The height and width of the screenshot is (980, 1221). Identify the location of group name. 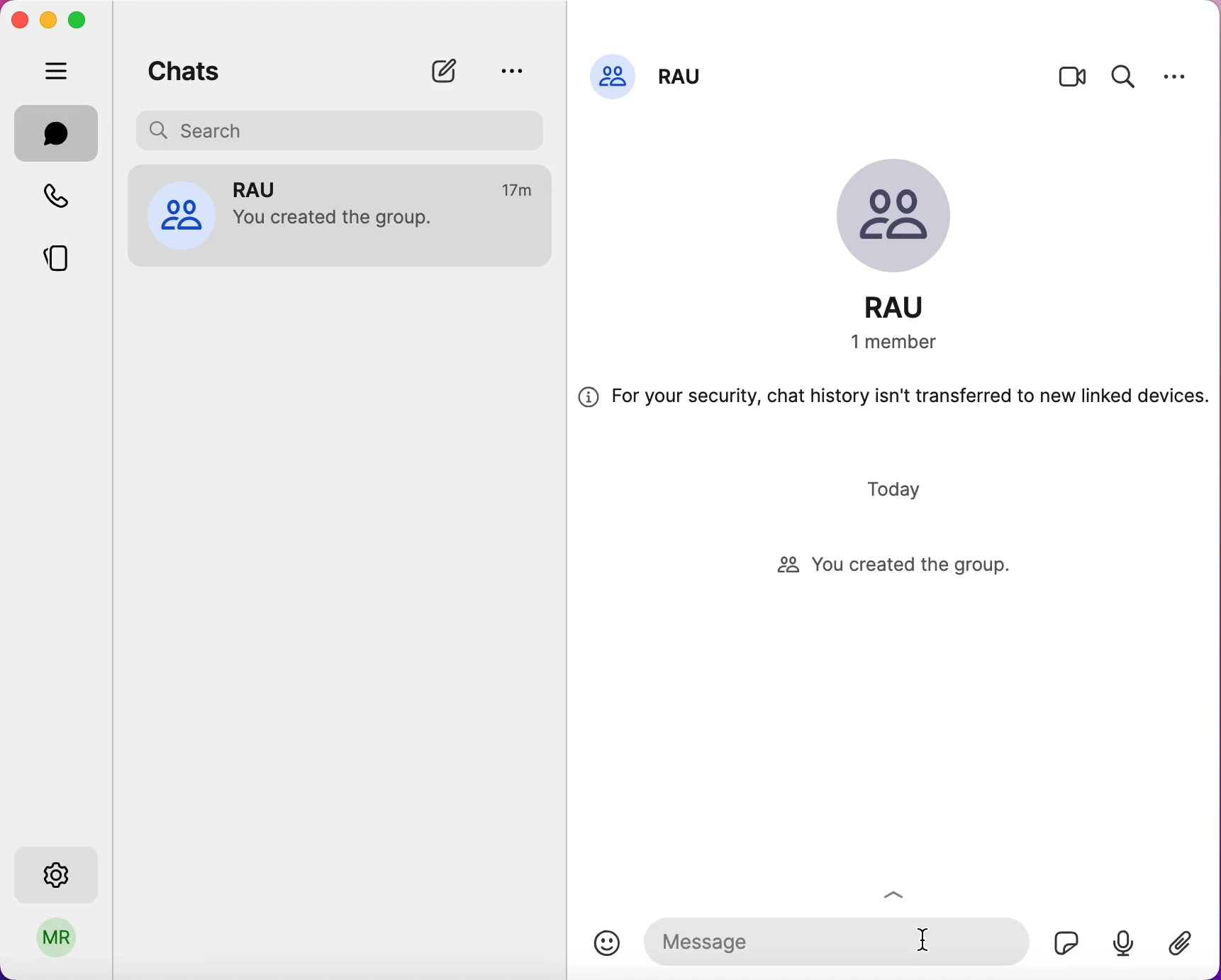
(910, 307).